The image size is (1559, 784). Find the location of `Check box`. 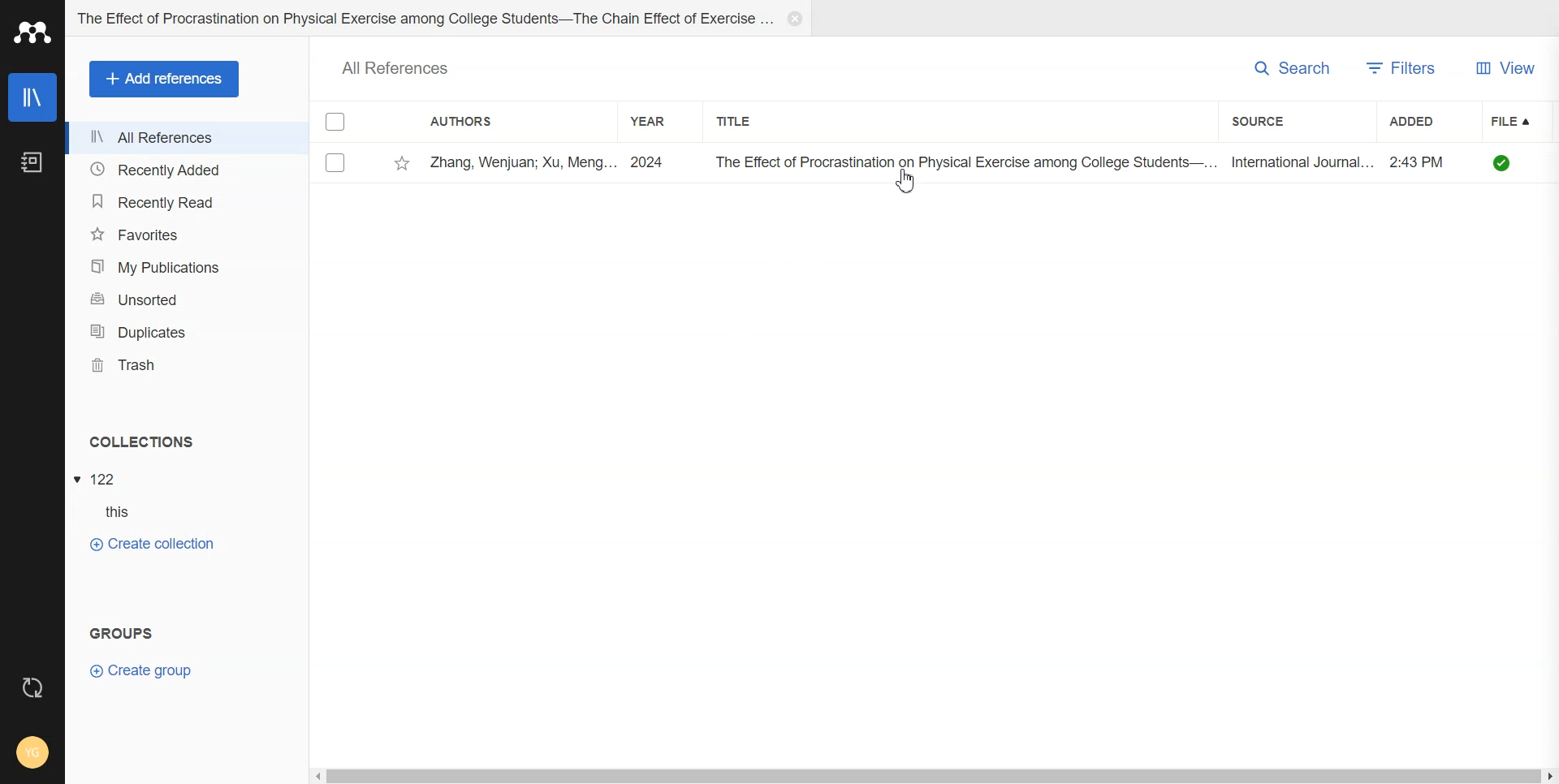

Check box is located at coordinates (337, 124).